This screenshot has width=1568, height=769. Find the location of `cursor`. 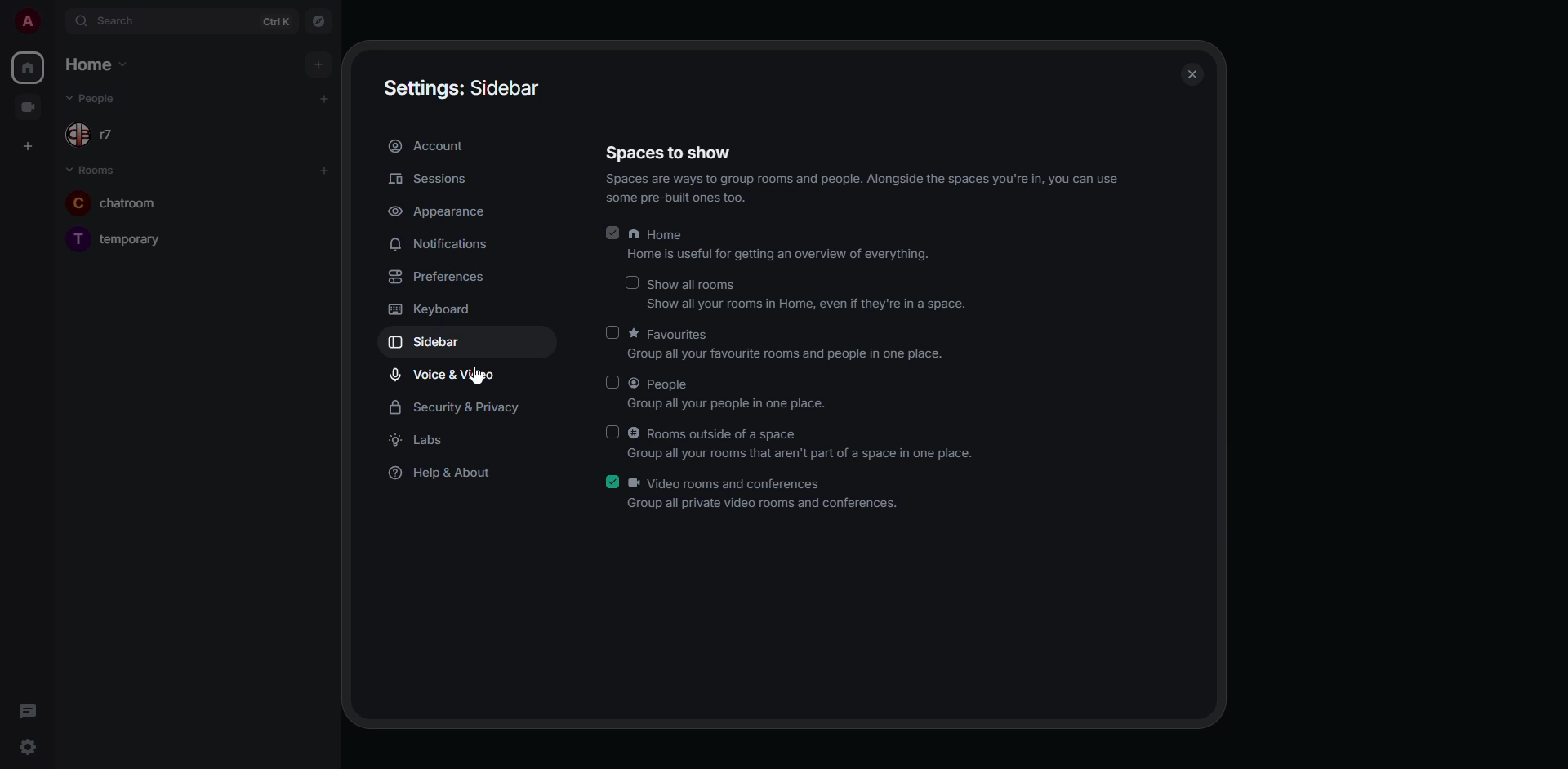

cursor is located at coordinates (476, 375).